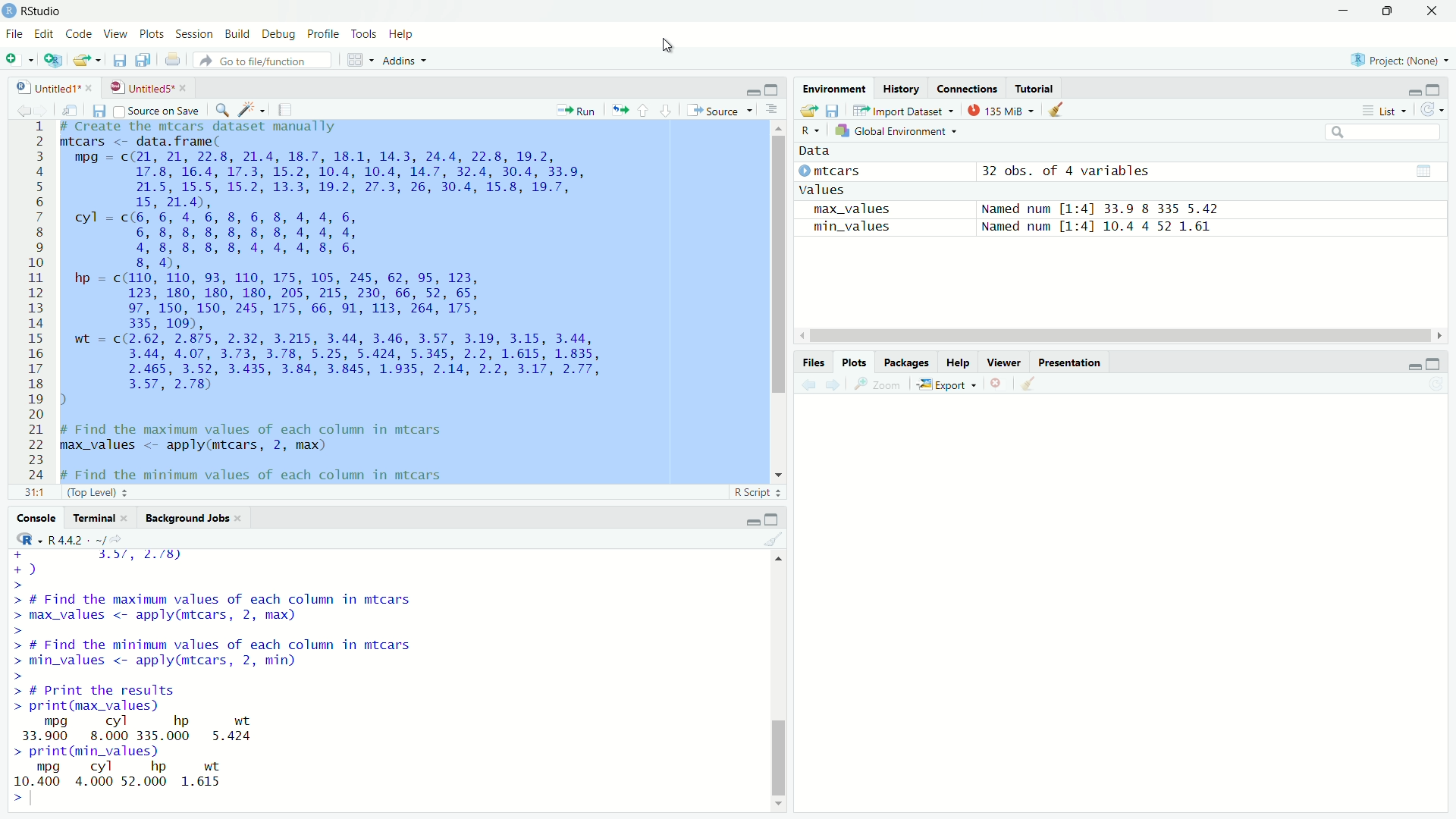 This screenshot has height=819, width=1456. I want to click on File, so click(15, 34).